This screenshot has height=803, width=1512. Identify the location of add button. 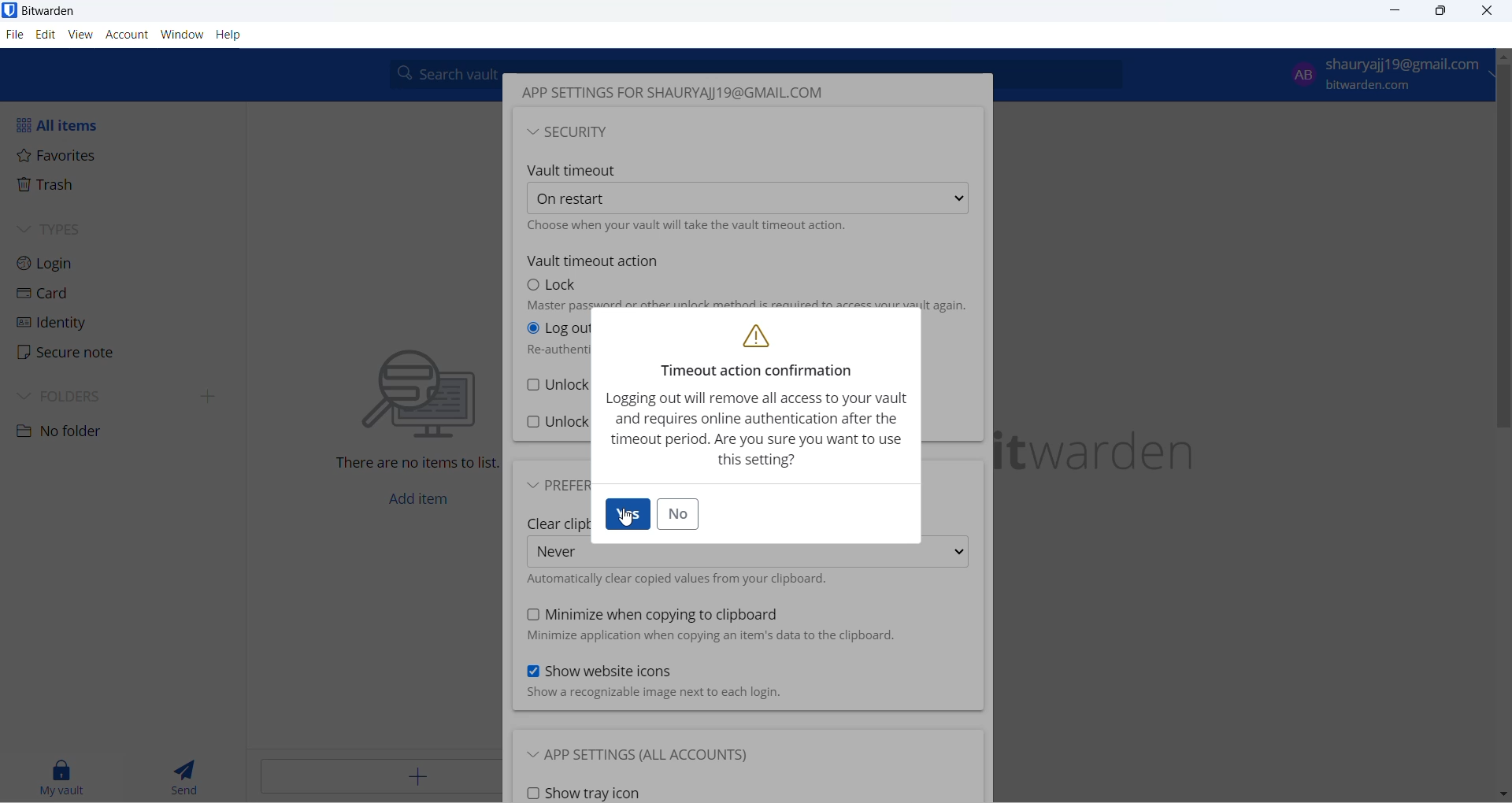
(374, 778).